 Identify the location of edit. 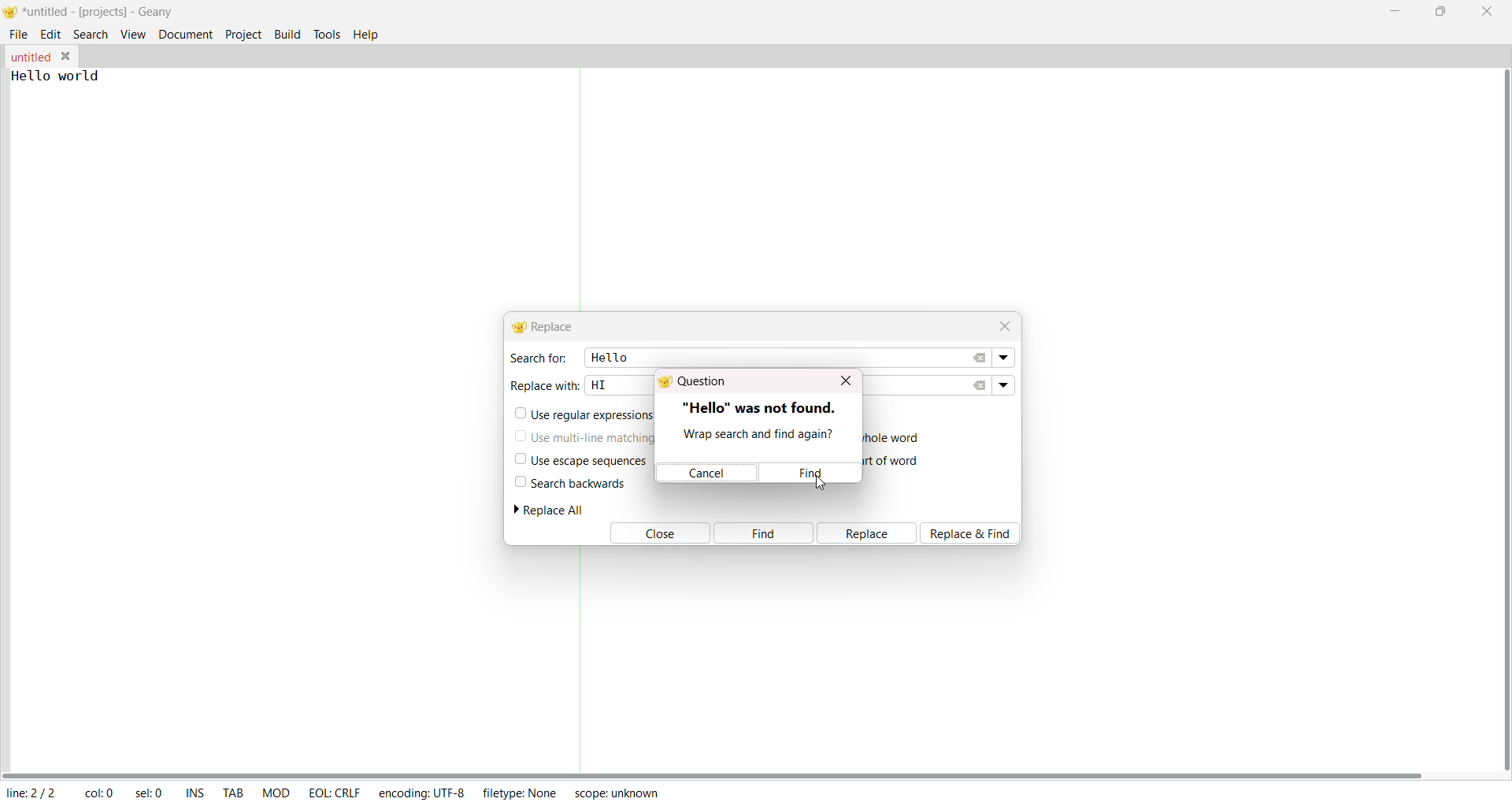
(51, 33).